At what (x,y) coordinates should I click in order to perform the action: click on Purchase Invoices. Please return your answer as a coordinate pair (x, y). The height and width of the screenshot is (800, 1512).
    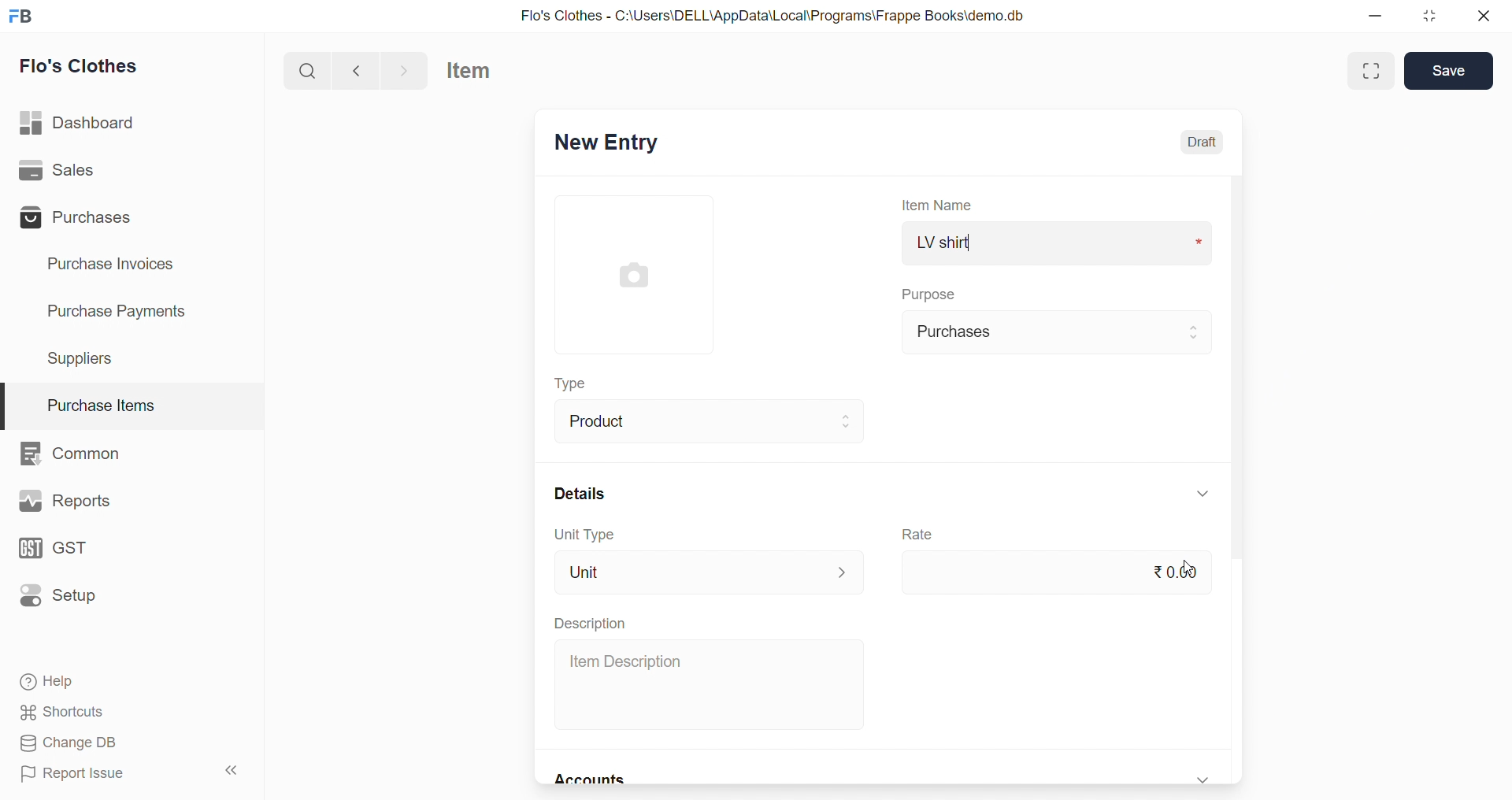
    Looking at the image, I should click on (121, 265).